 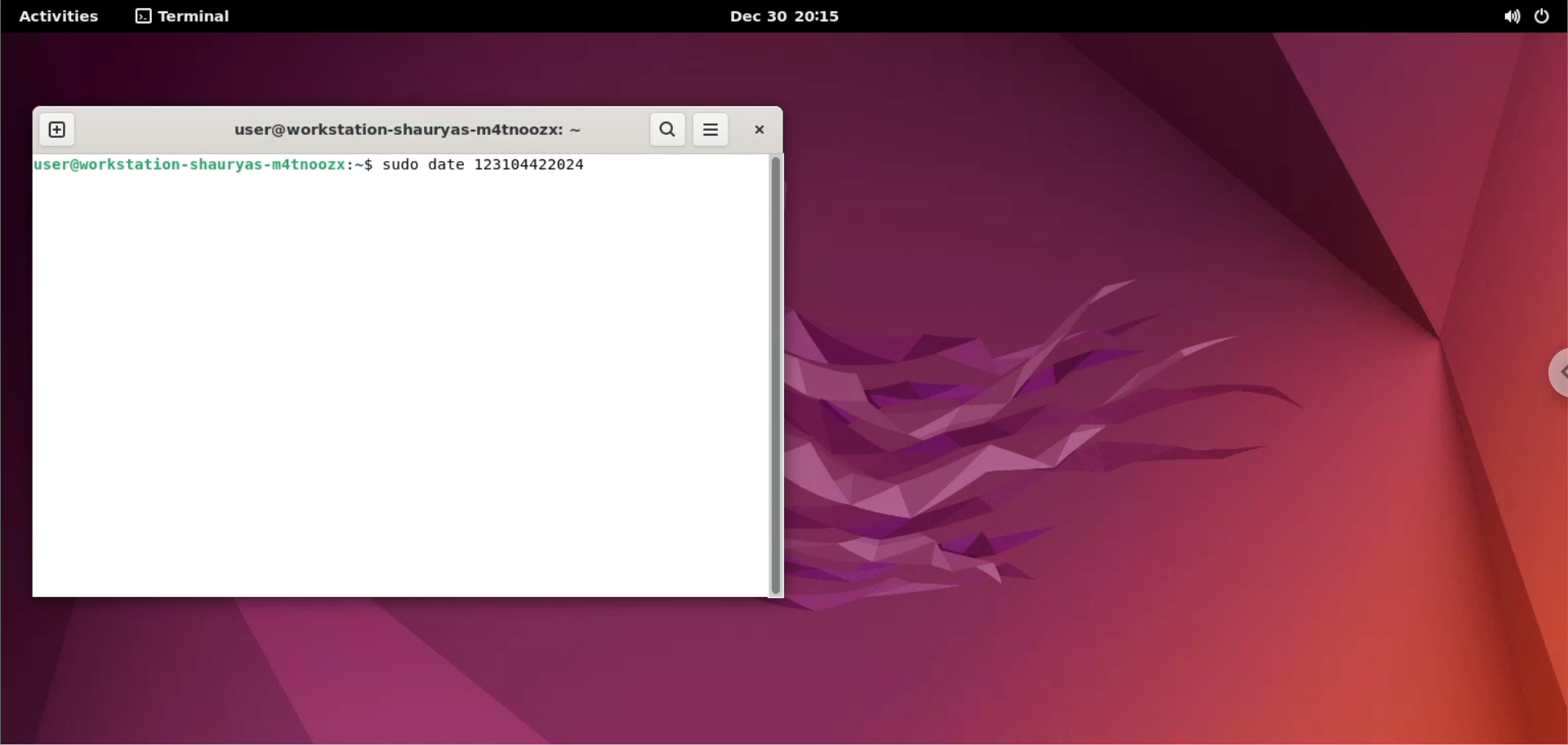 I want to click on power options, so click(x=1546, y=17).